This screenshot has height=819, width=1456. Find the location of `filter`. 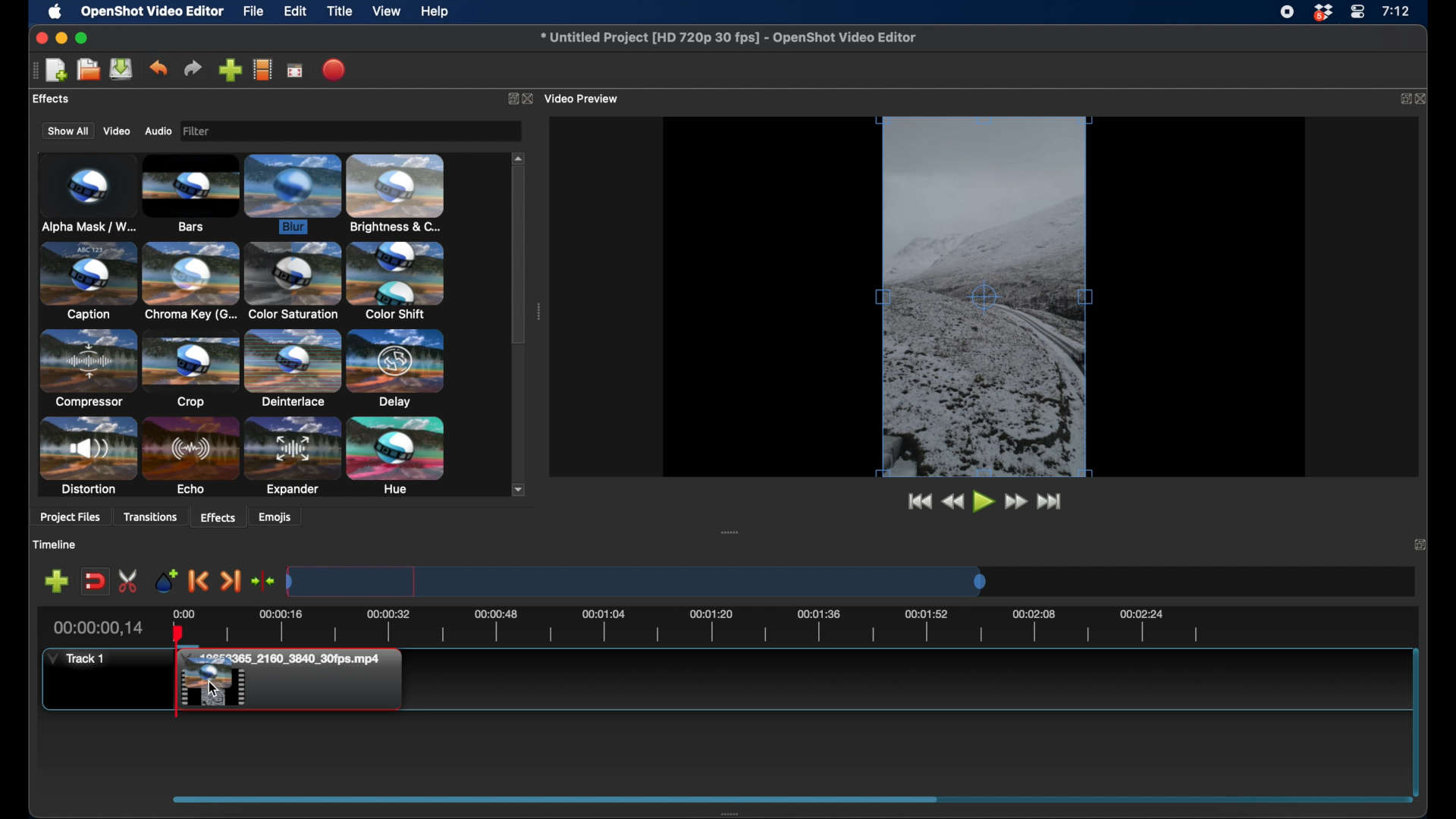

filter is located at coordinates (243, 131).